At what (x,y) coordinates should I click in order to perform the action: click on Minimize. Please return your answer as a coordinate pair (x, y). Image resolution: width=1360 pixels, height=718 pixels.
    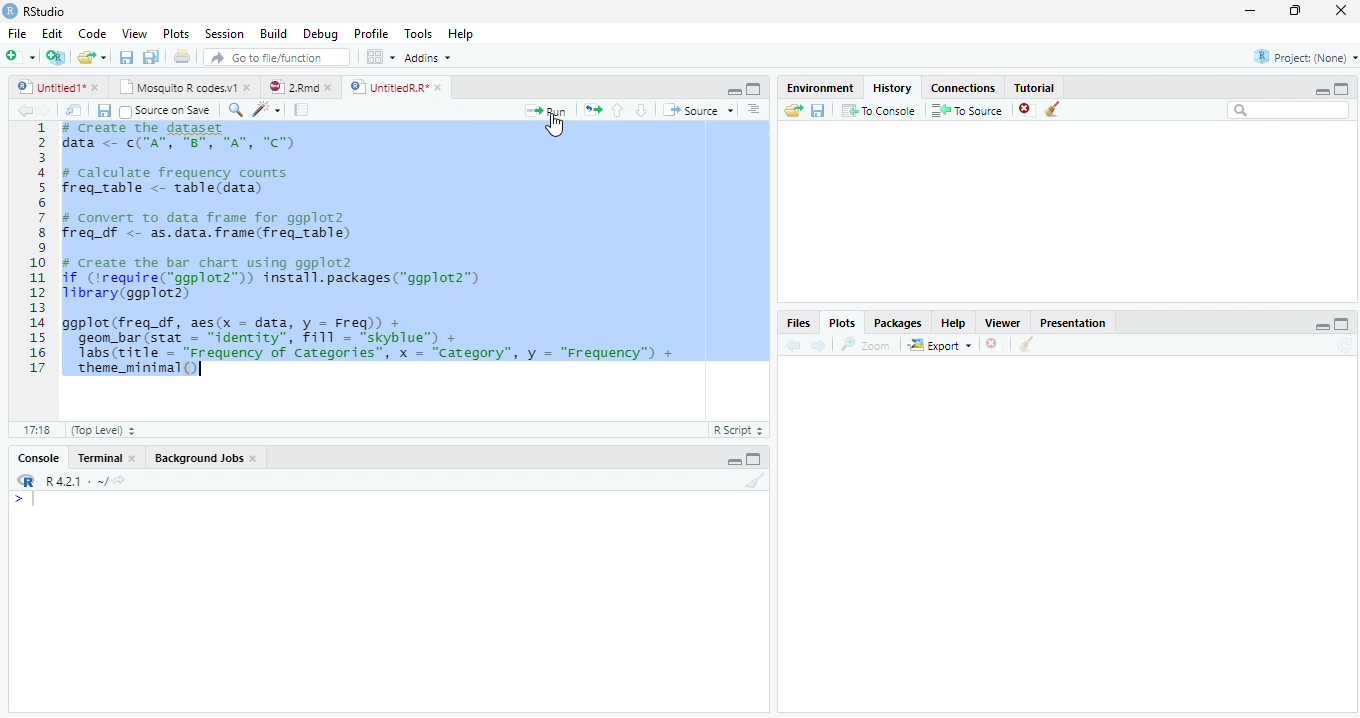
    Looking at the image, I should click on (1321, 92).